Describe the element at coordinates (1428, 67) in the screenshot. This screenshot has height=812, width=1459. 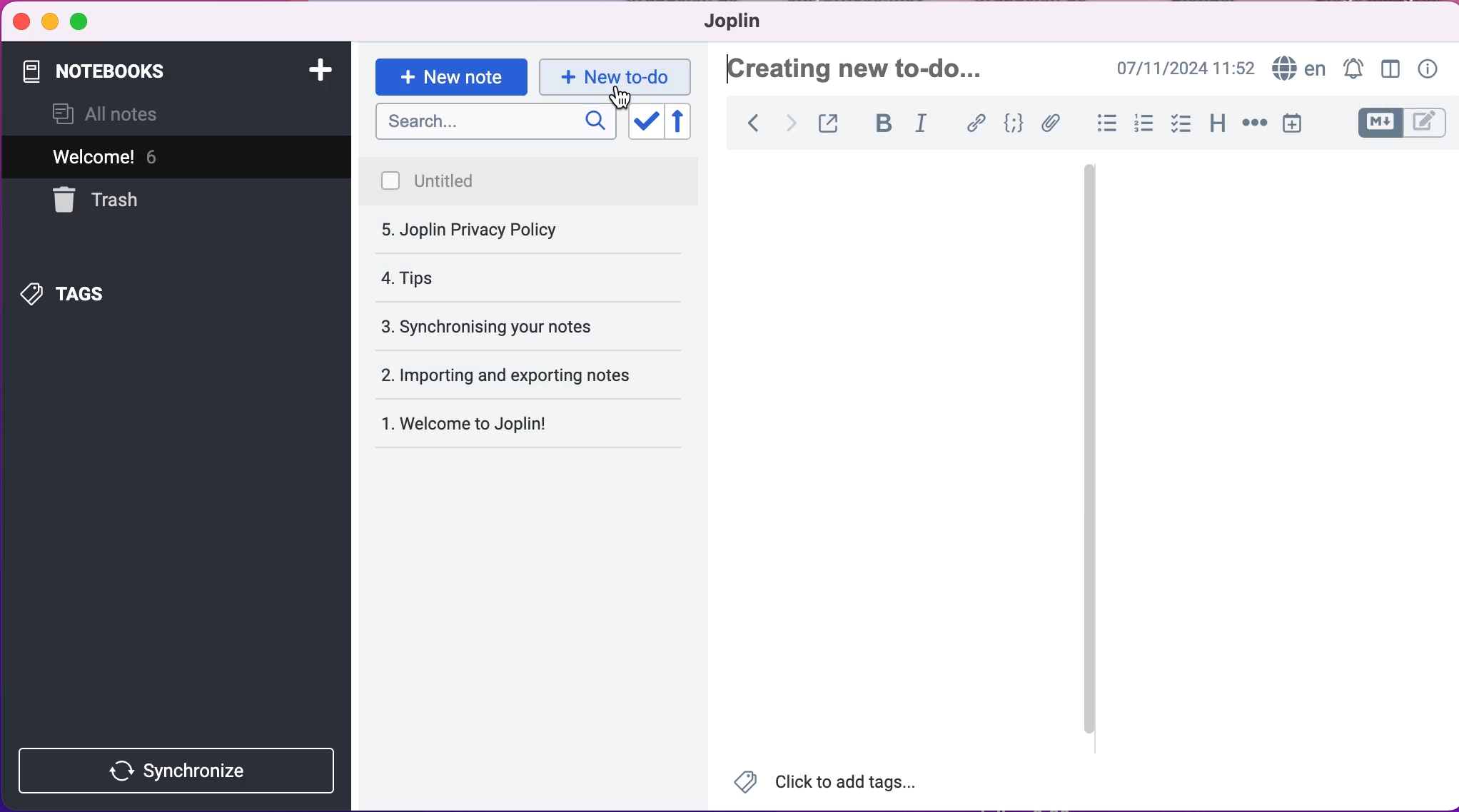
I see `note properties` at that location.